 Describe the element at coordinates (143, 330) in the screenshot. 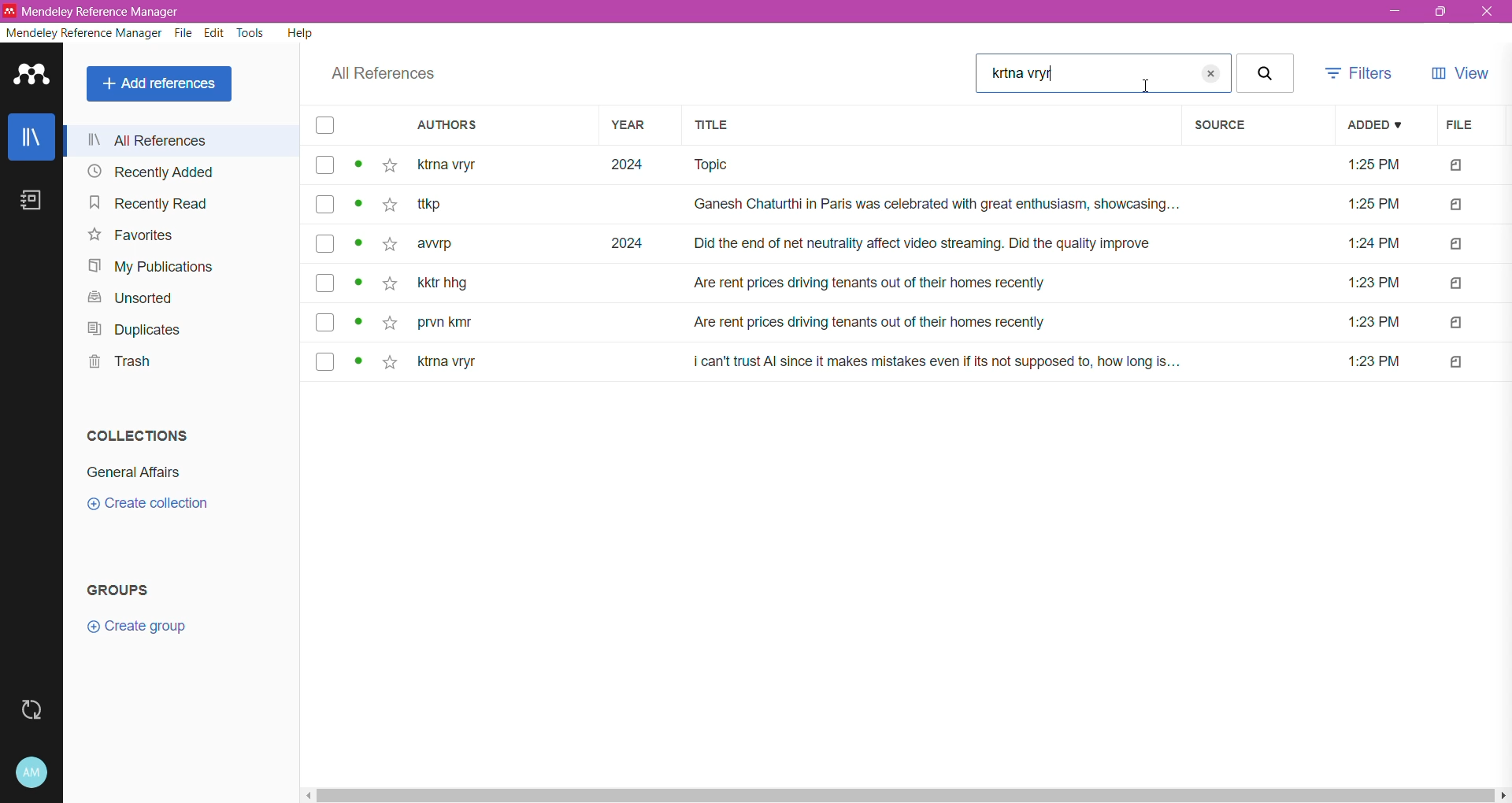

I see `Duplicates` at that location.